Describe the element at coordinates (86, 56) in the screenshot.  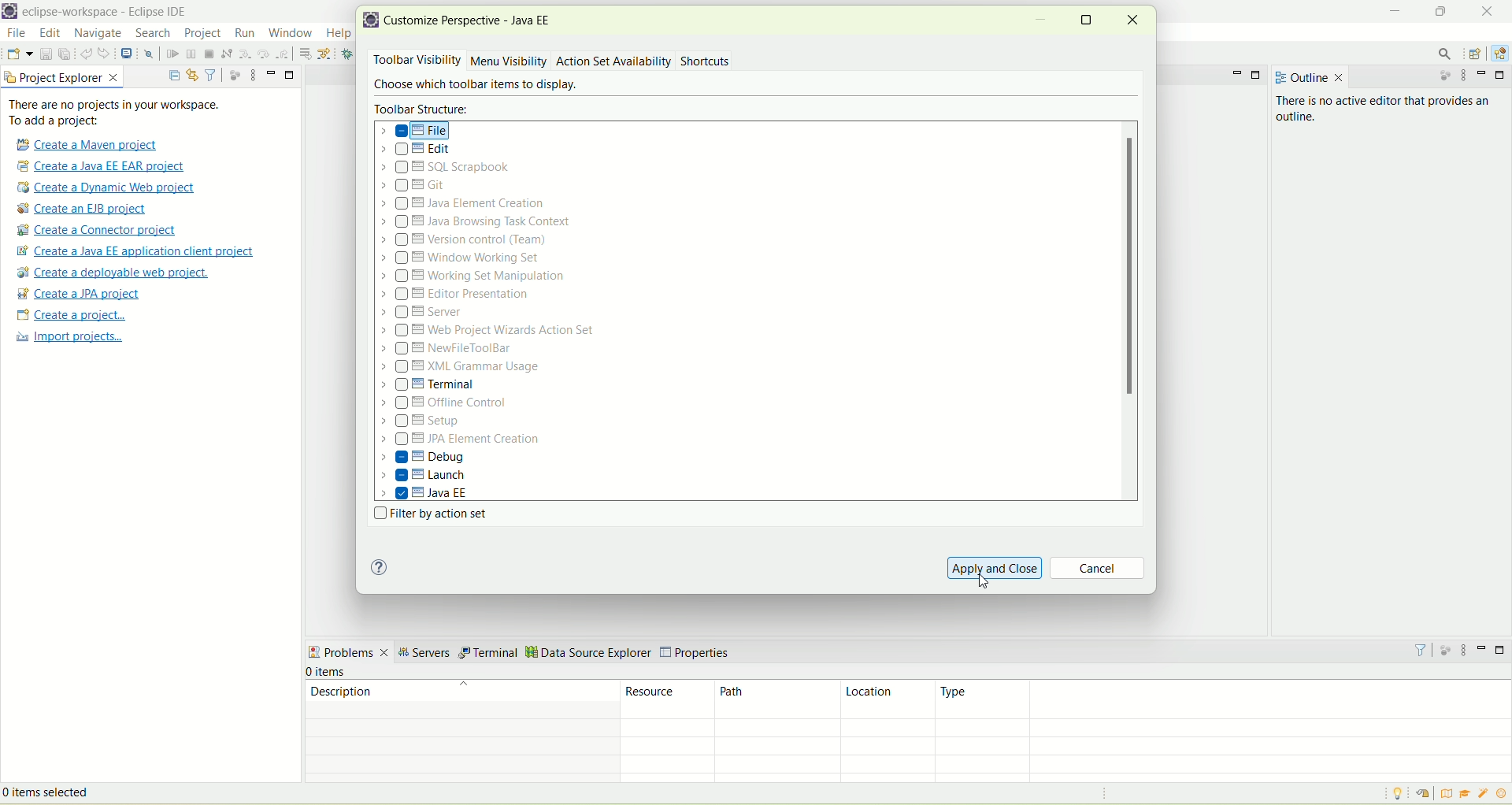
I see `undo` at that location.